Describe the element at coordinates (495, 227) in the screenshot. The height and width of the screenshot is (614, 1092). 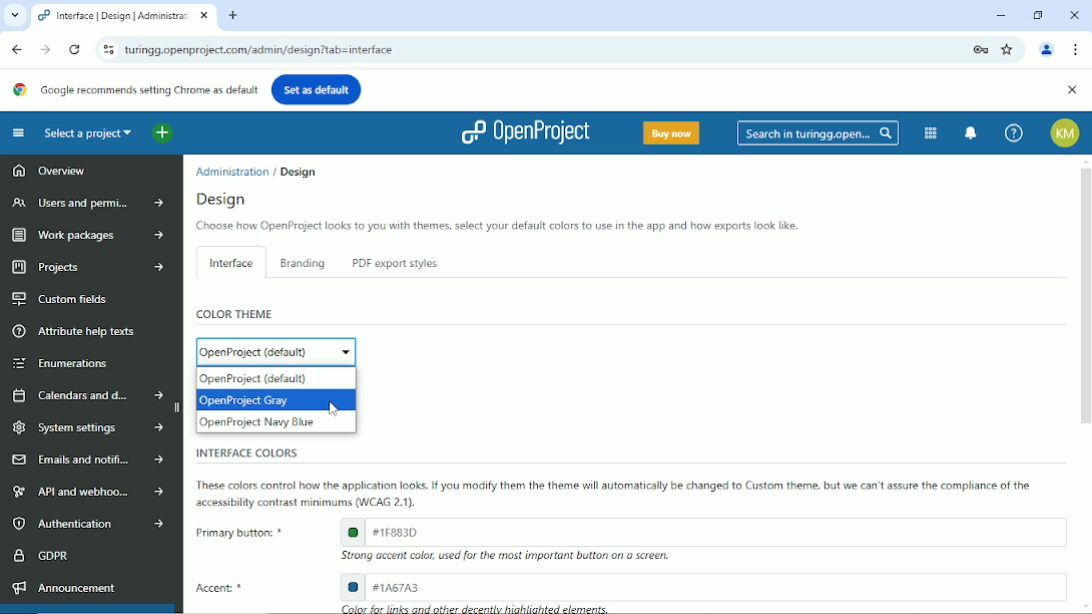
I see `Choose how OpenProject looks to you with themes, select your default colors to use in the app and how exports look hike.` at that location.